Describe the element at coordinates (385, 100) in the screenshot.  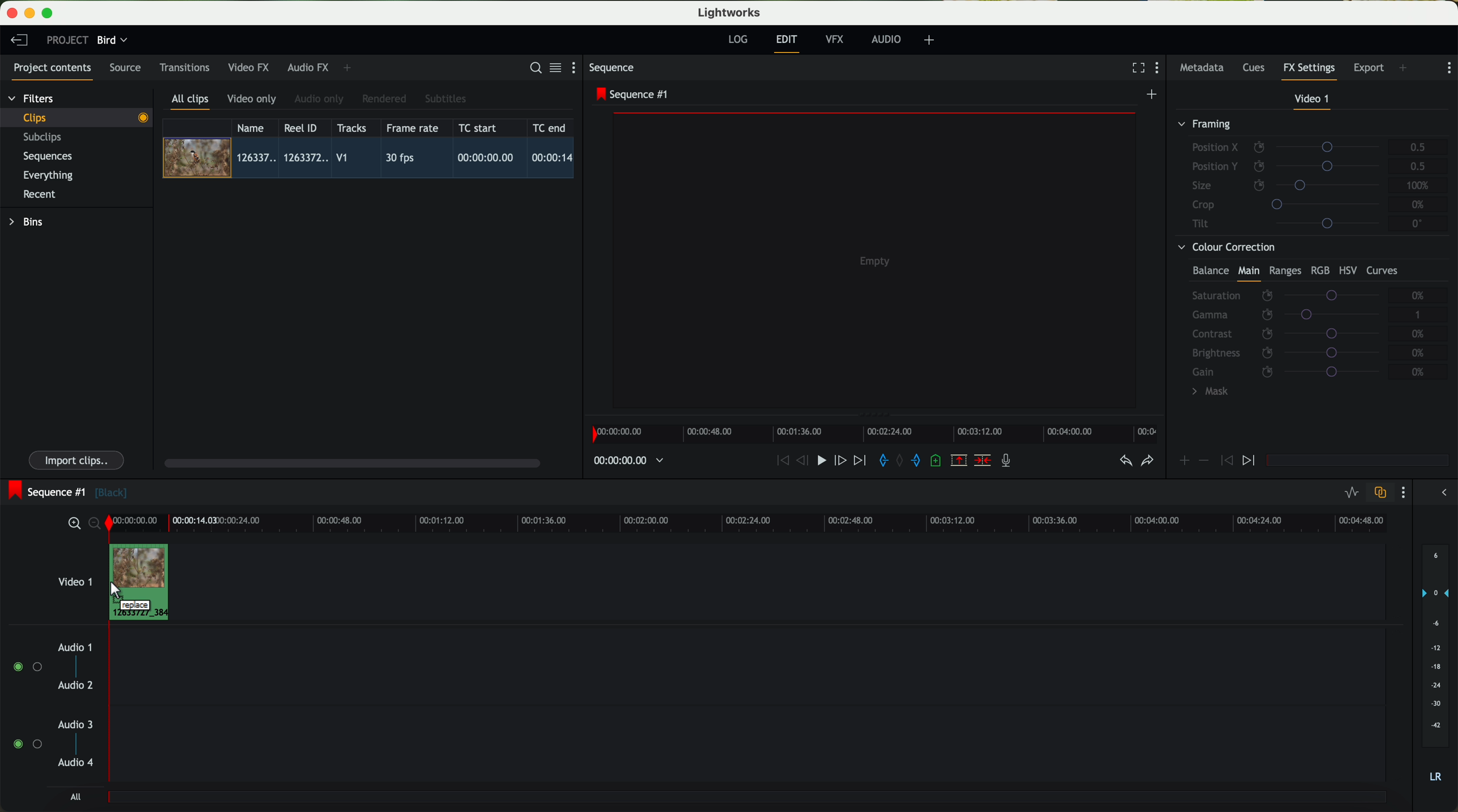
I see `rendered` at that location.